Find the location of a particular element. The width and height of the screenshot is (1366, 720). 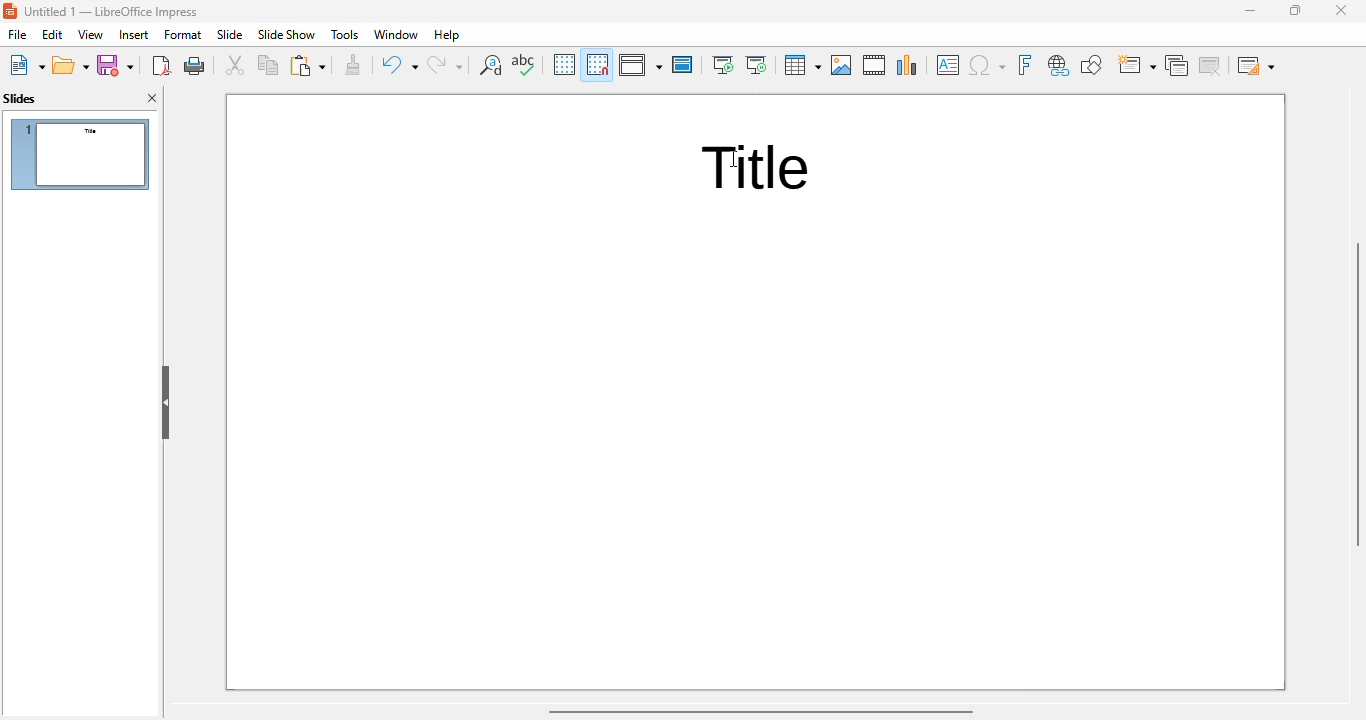

save is located at coordinates (116, 65).